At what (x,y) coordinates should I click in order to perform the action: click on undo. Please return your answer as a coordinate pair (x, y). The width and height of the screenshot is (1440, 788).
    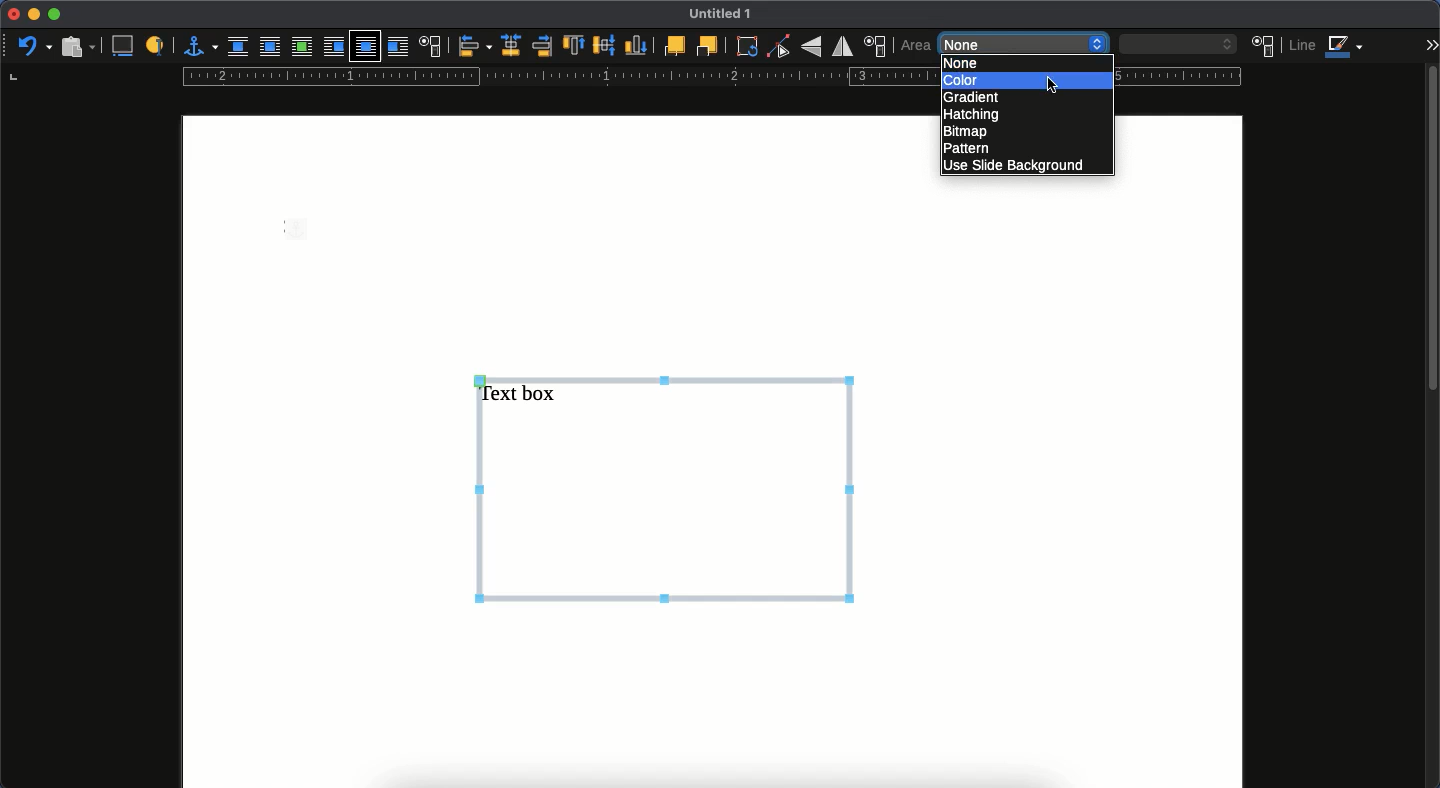
    Looking at the image, I should click on (34, 45).